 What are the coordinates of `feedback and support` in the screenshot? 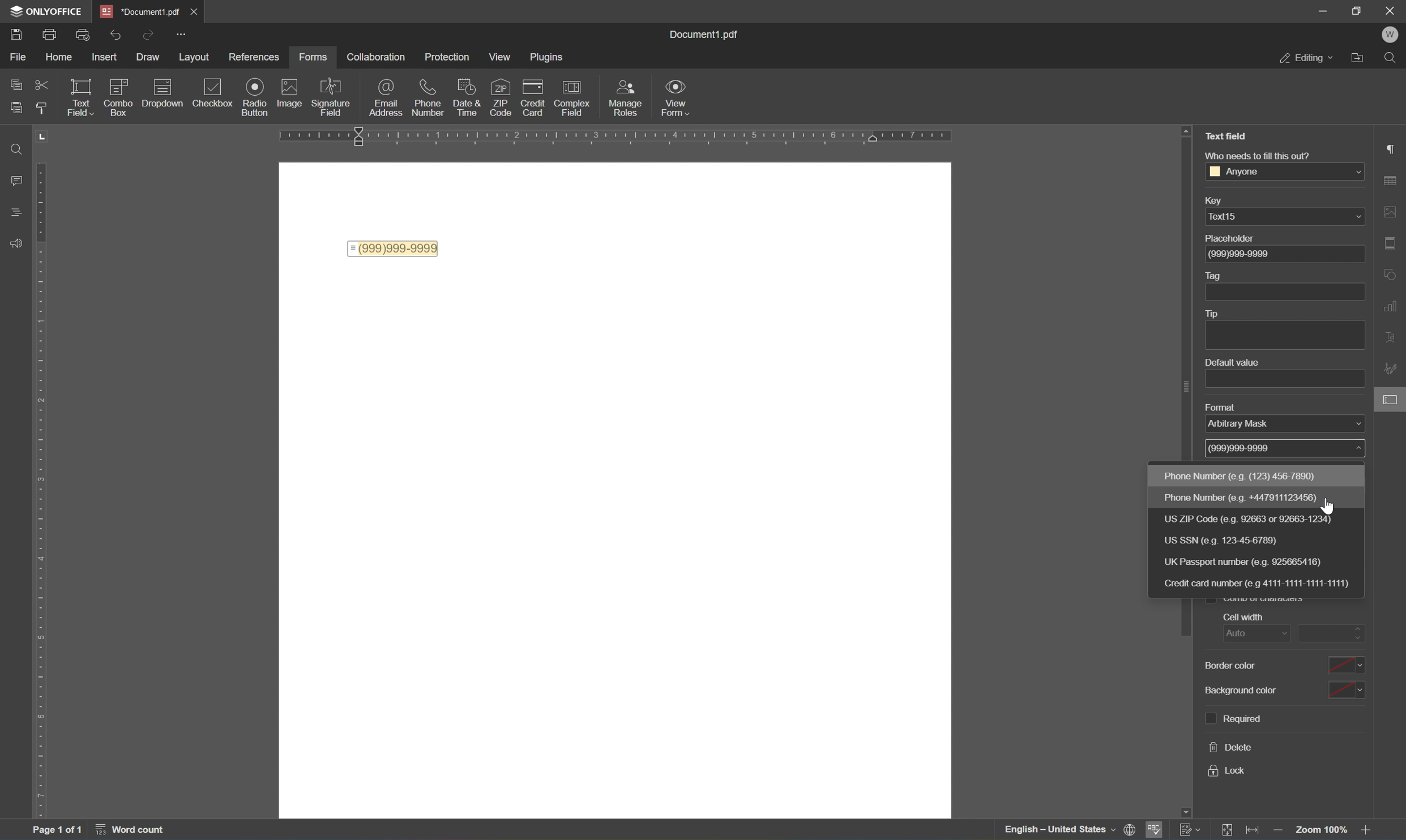 It's located at (15, 240).